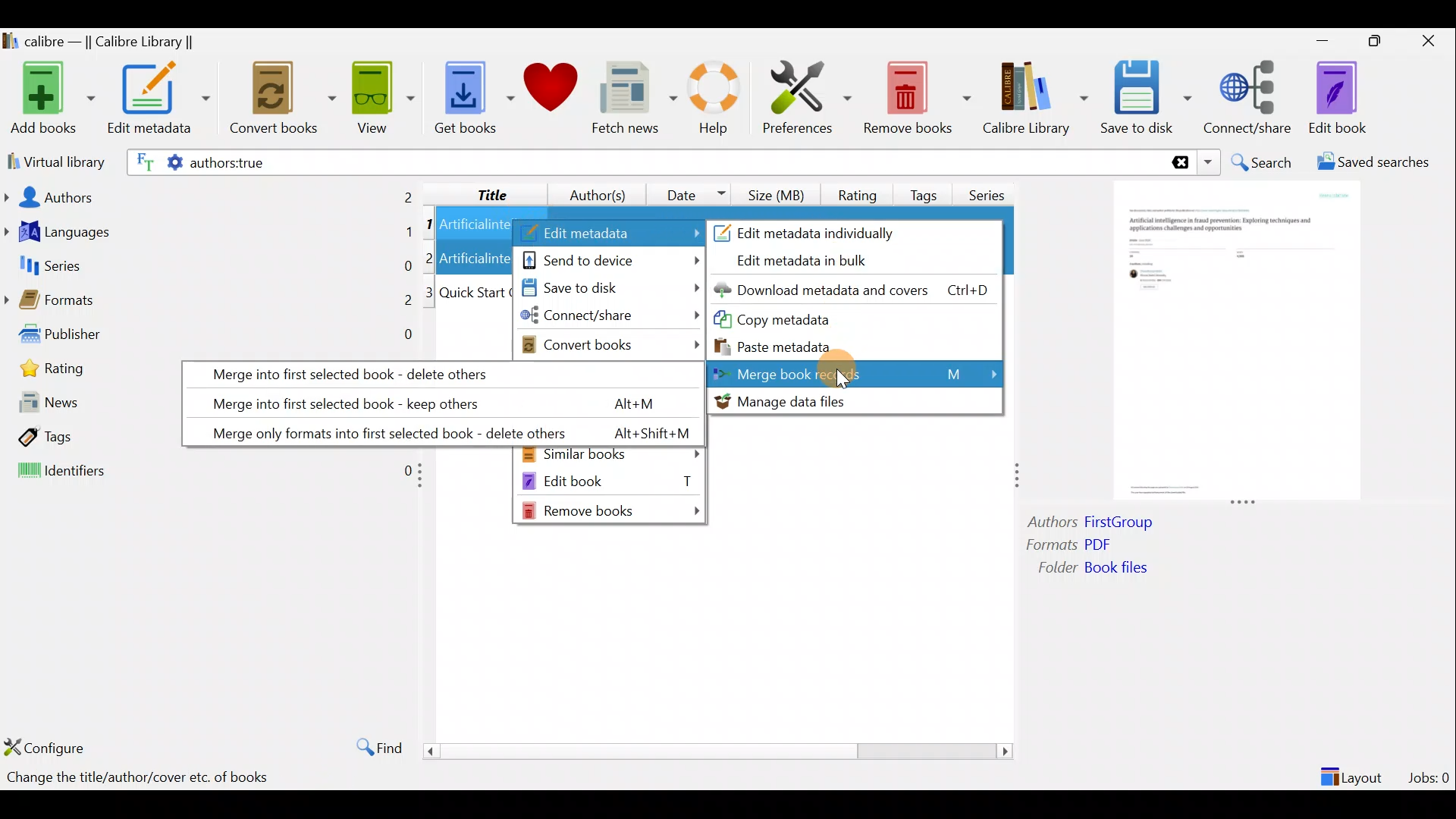 Image resolution: width=1456 pixels, height=819 pixels. What do you see at coordinates (1263, 162) in the screenshot?
I see `Search` at bounding box center [1263, 162].